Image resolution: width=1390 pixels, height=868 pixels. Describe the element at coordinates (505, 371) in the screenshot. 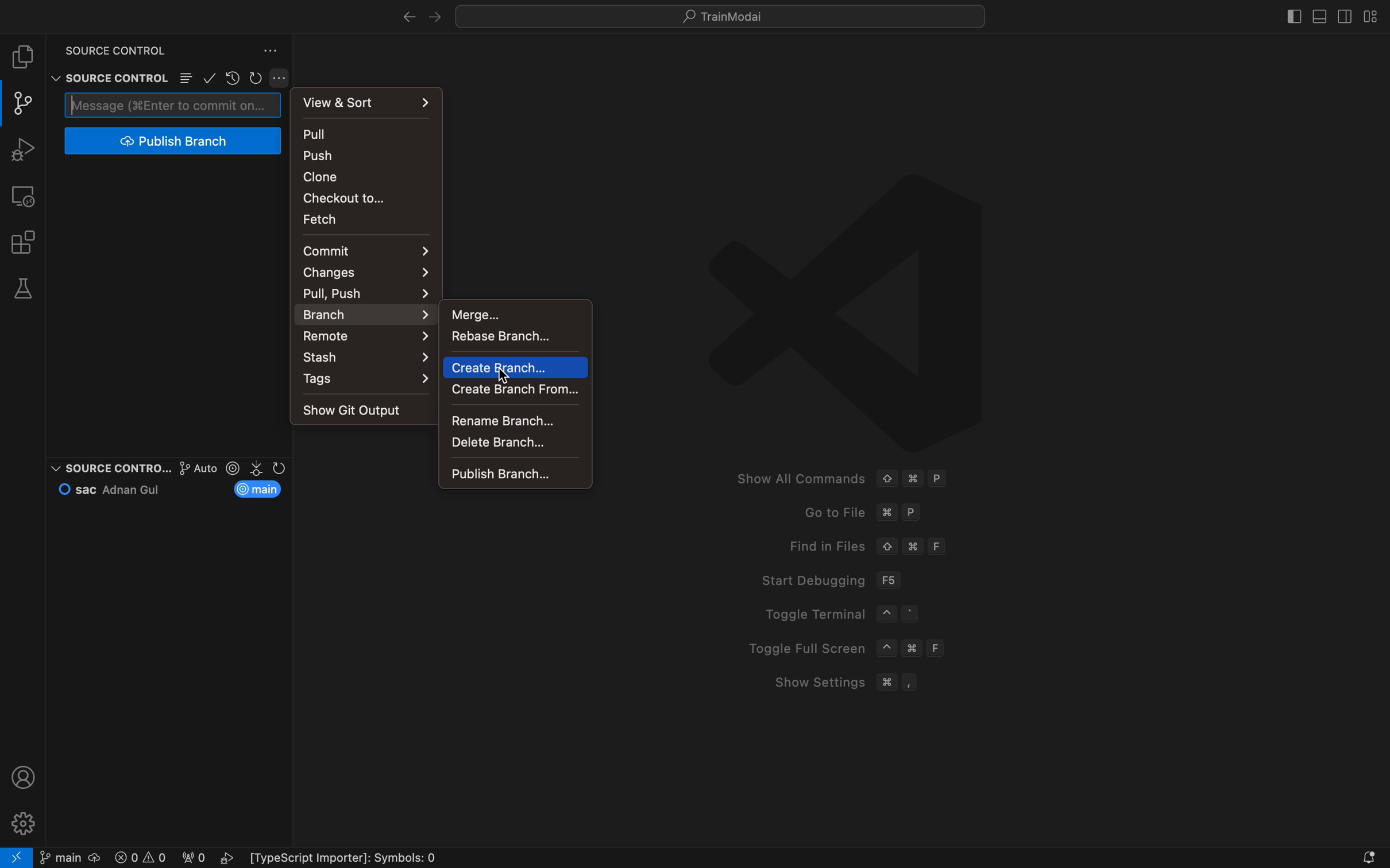

I see `cursor` at that location.